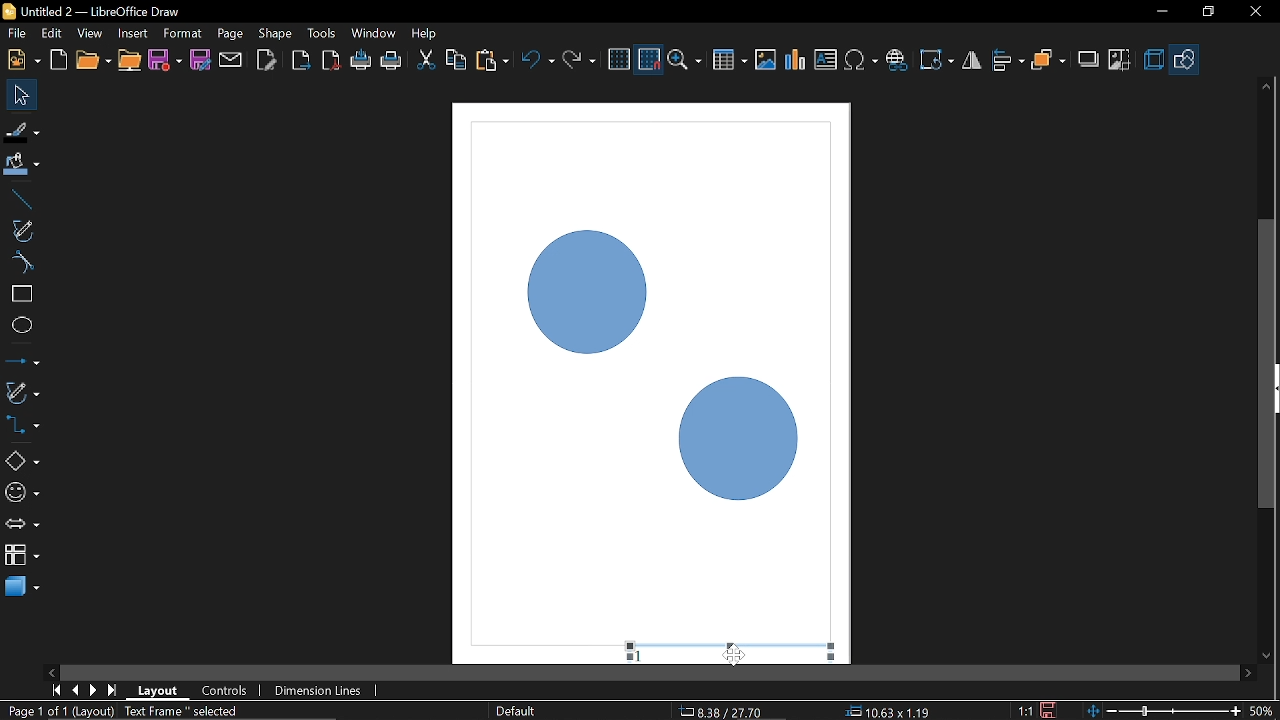 The height and width of the screenshot is (720, 1280). What do you see at coordinates (1272, 389) in the screenshot?
I see `Sidebar` at bounding box center [1272, 389].